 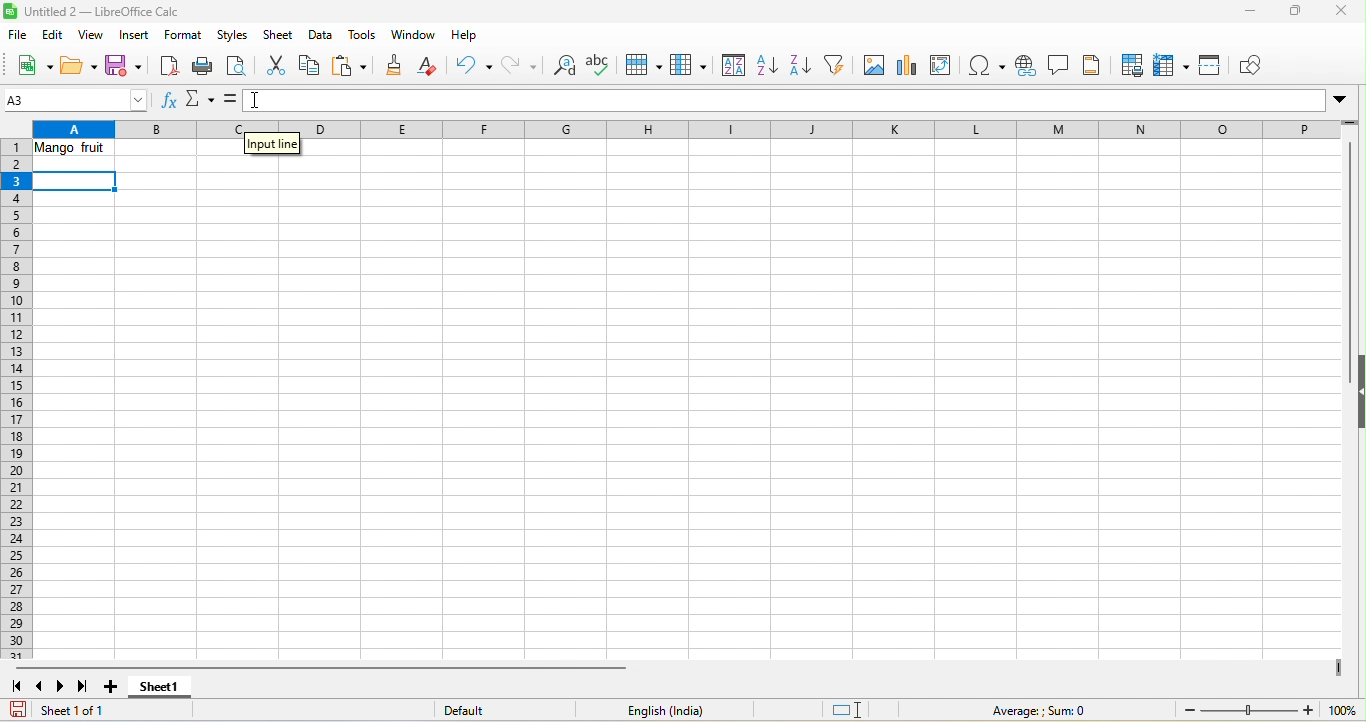 I want to click on mango fruit : text having double space, so click(x=77, y=151).